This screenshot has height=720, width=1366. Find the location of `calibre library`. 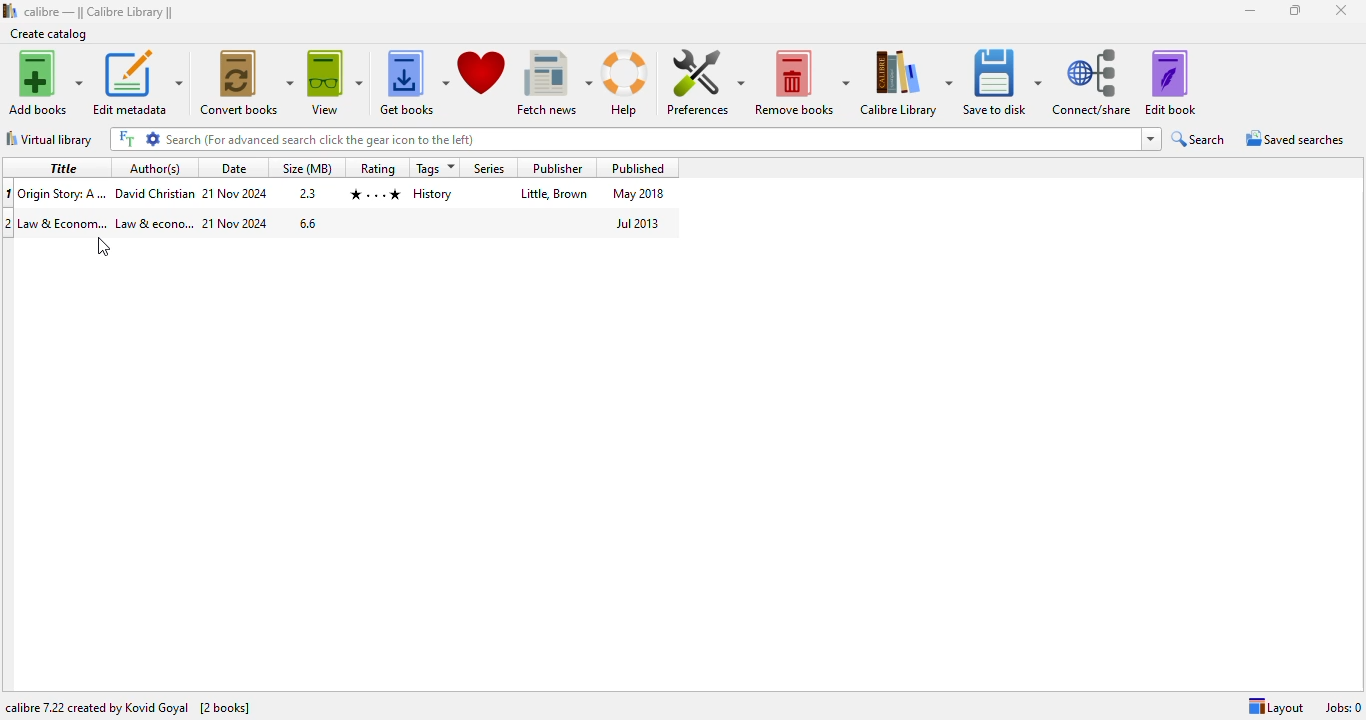

calibre library is located at coordinates (100, 11).